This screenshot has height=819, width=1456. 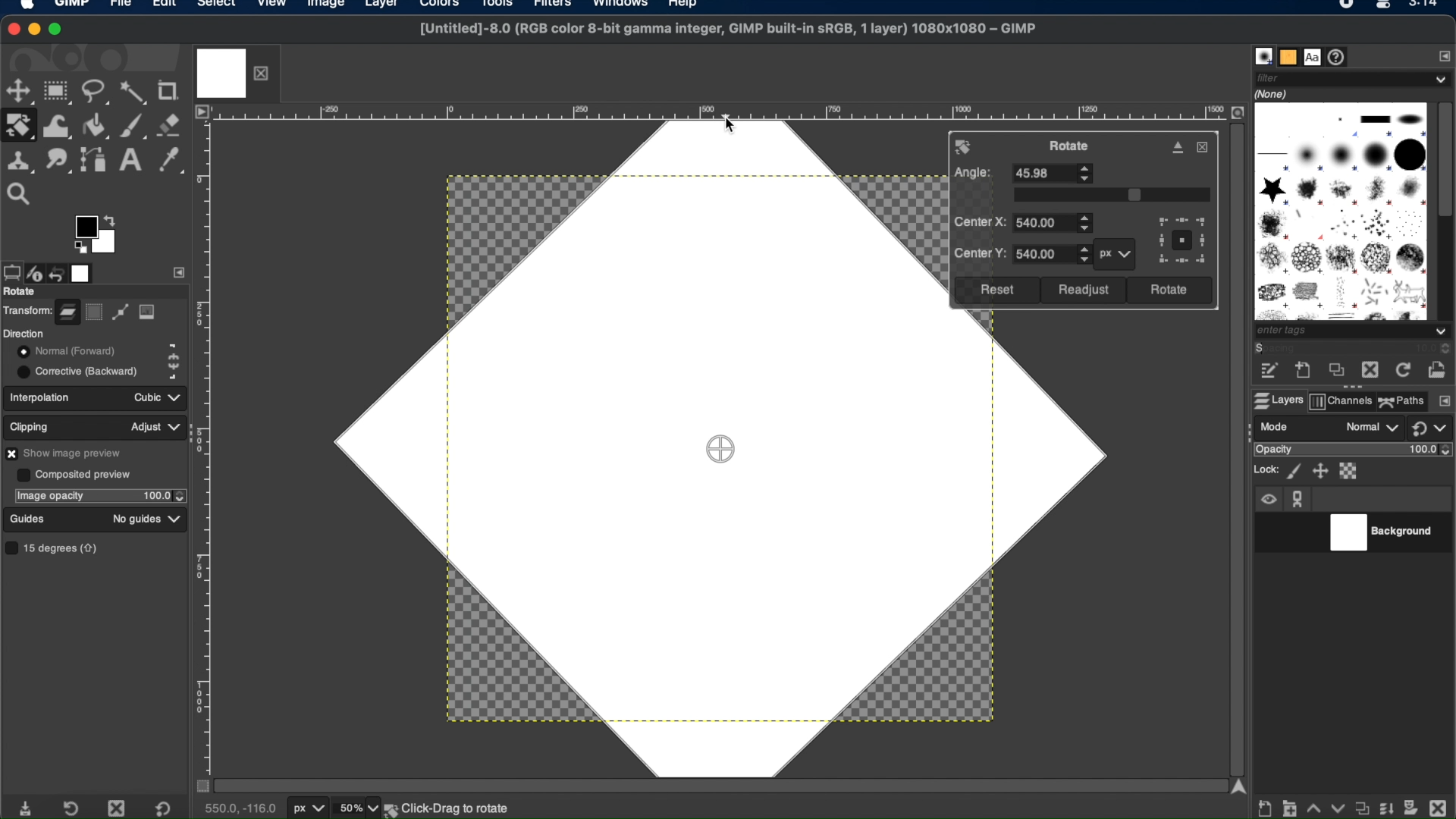 I want to click on side bar settings, so click(x=180, y=271).